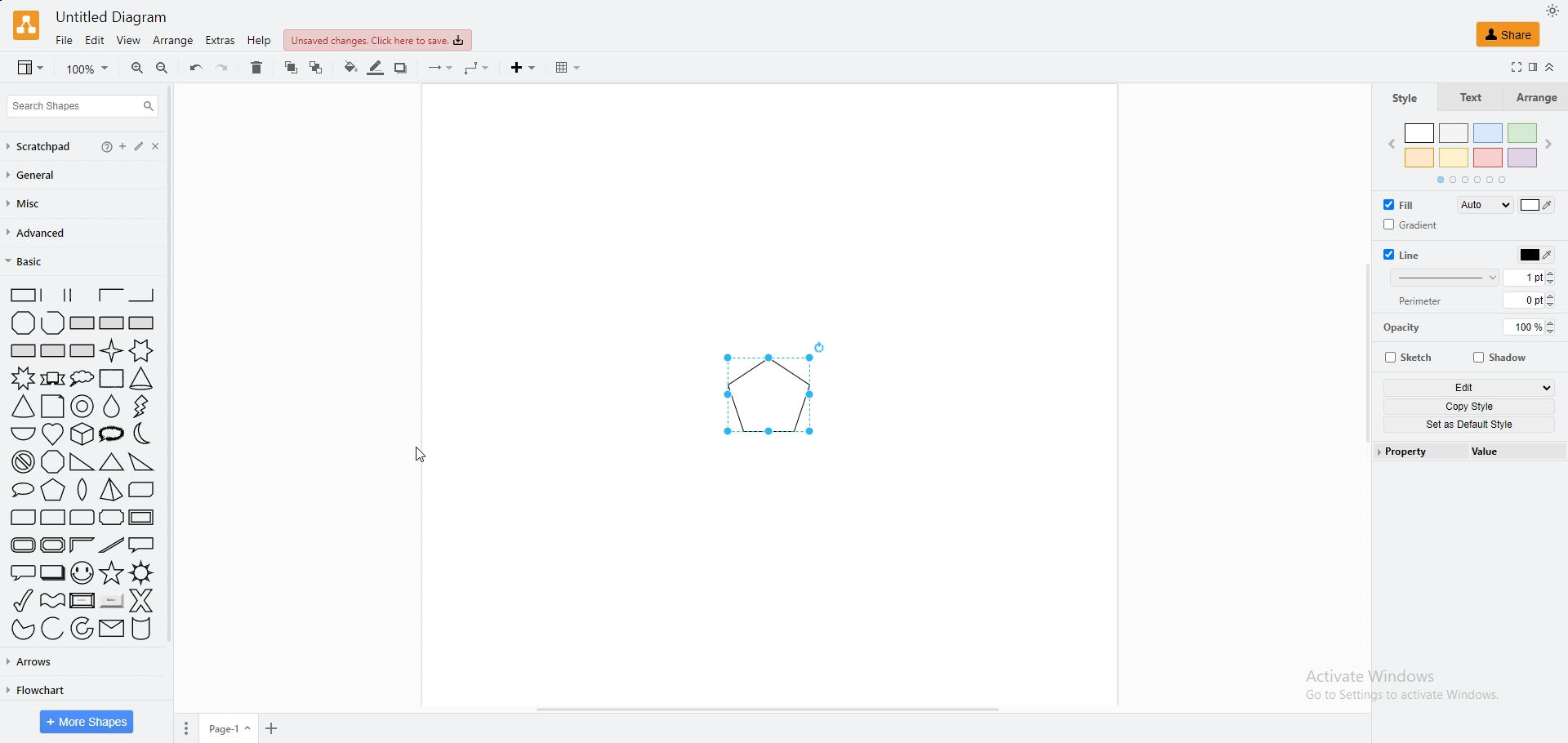  Describe the element at coordinates (54, 491) in the screenshot. I see `pentagon` at that location.